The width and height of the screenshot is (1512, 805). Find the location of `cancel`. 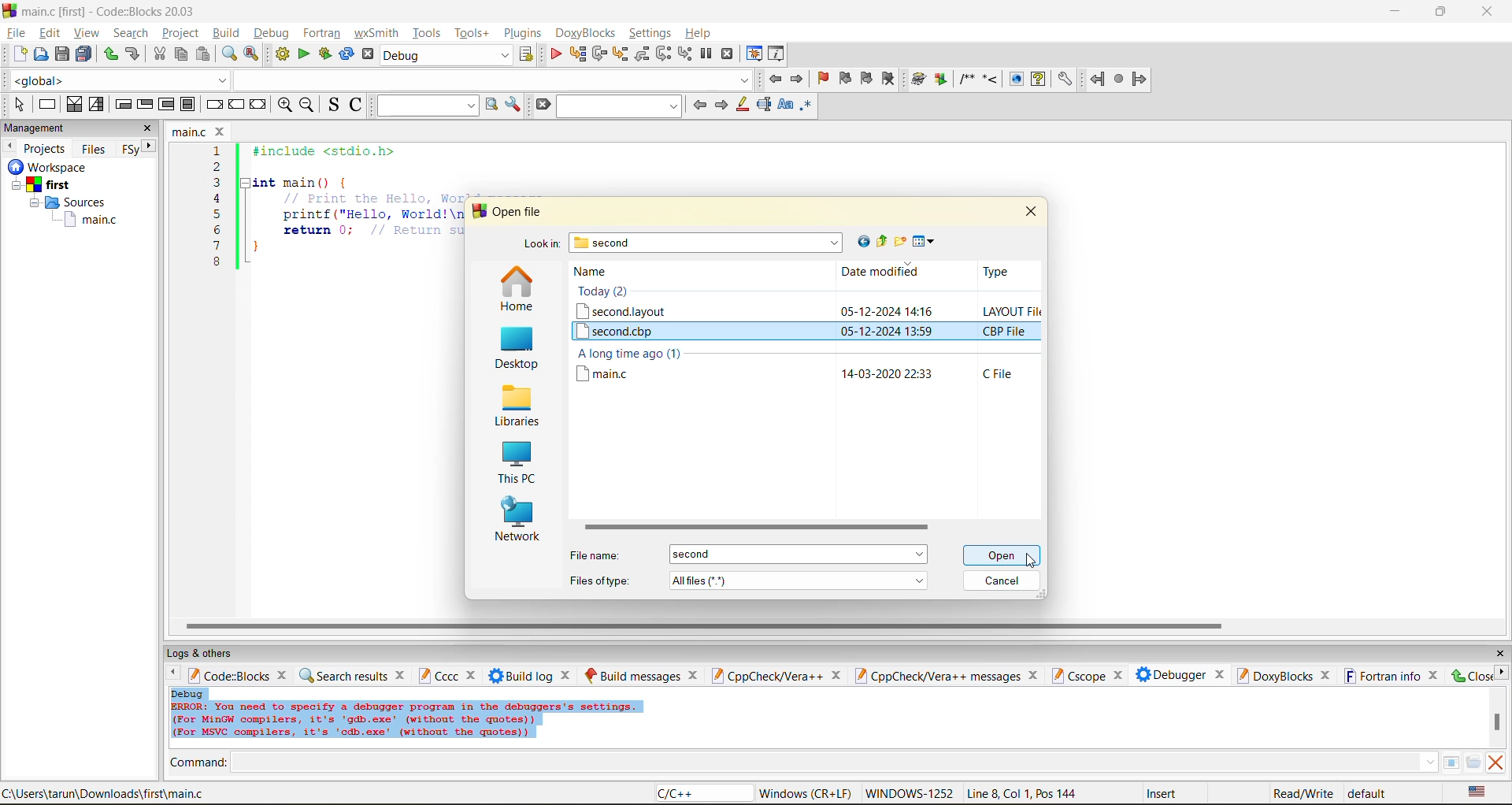

cancel is located at coordinates (1002, 582).